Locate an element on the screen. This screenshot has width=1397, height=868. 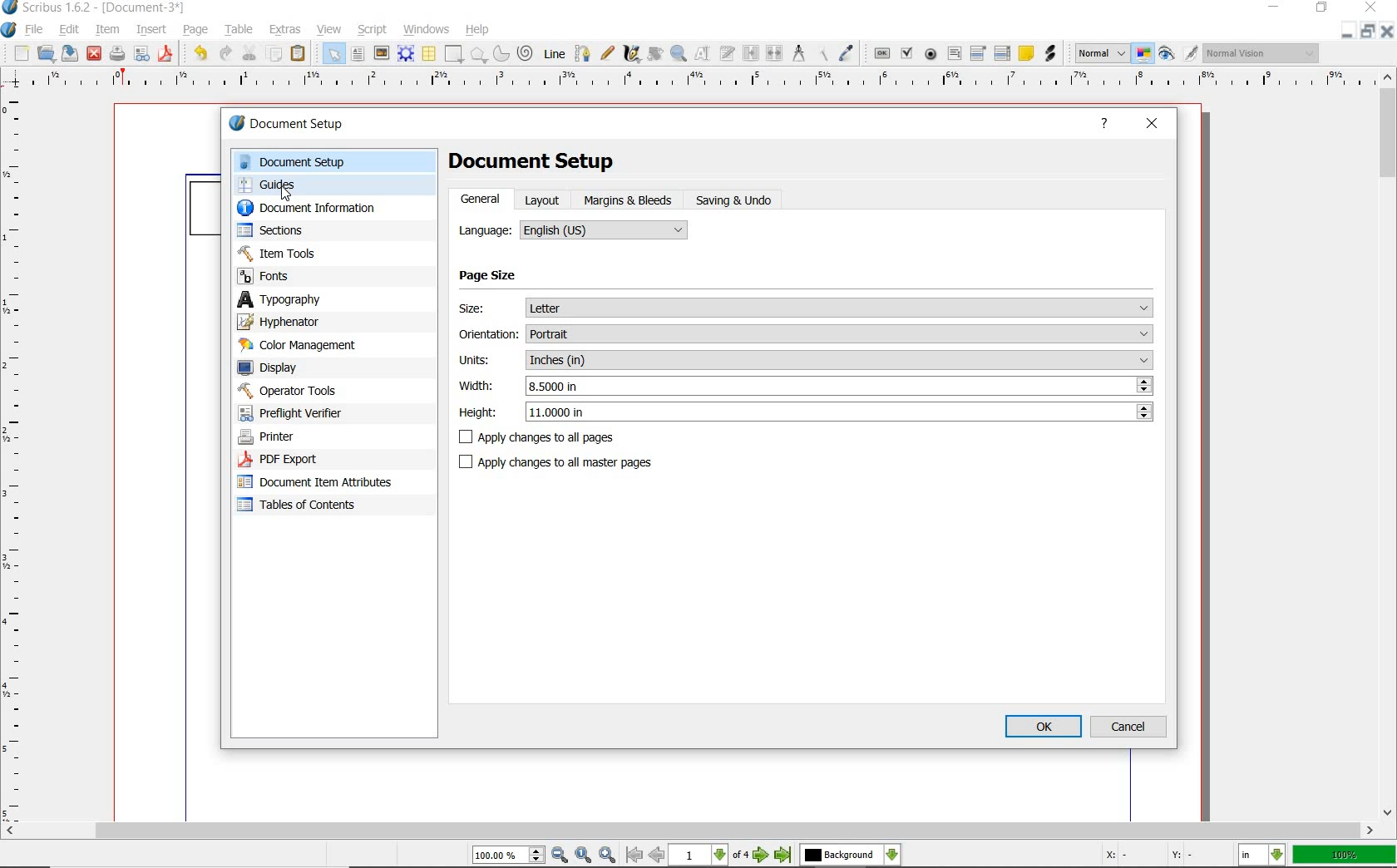
text annotation is located at coordinates (1025, 52).